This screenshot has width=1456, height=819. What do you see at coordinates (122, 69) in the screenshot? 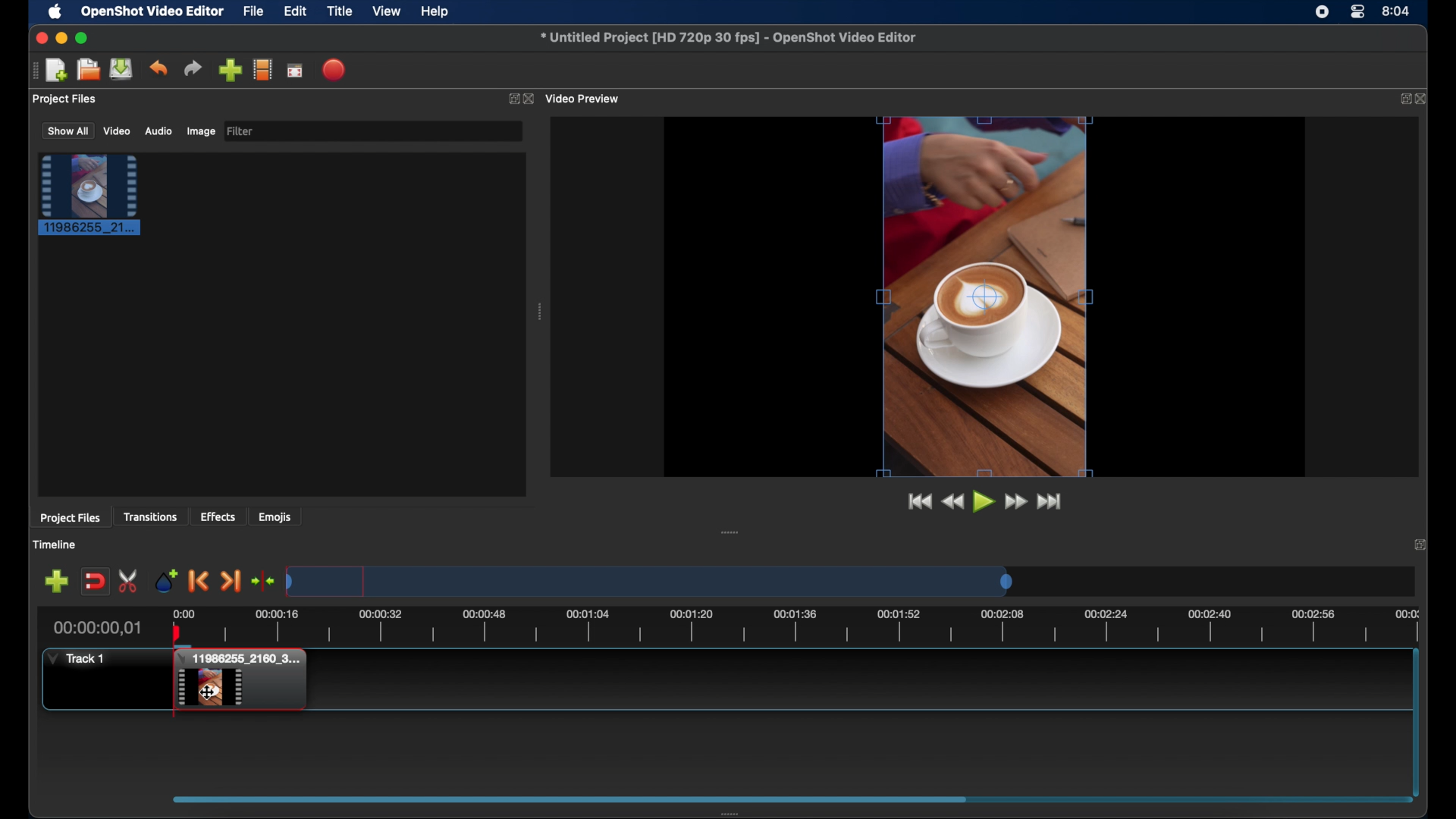
I see `save project` at bounding box center [122, 69].